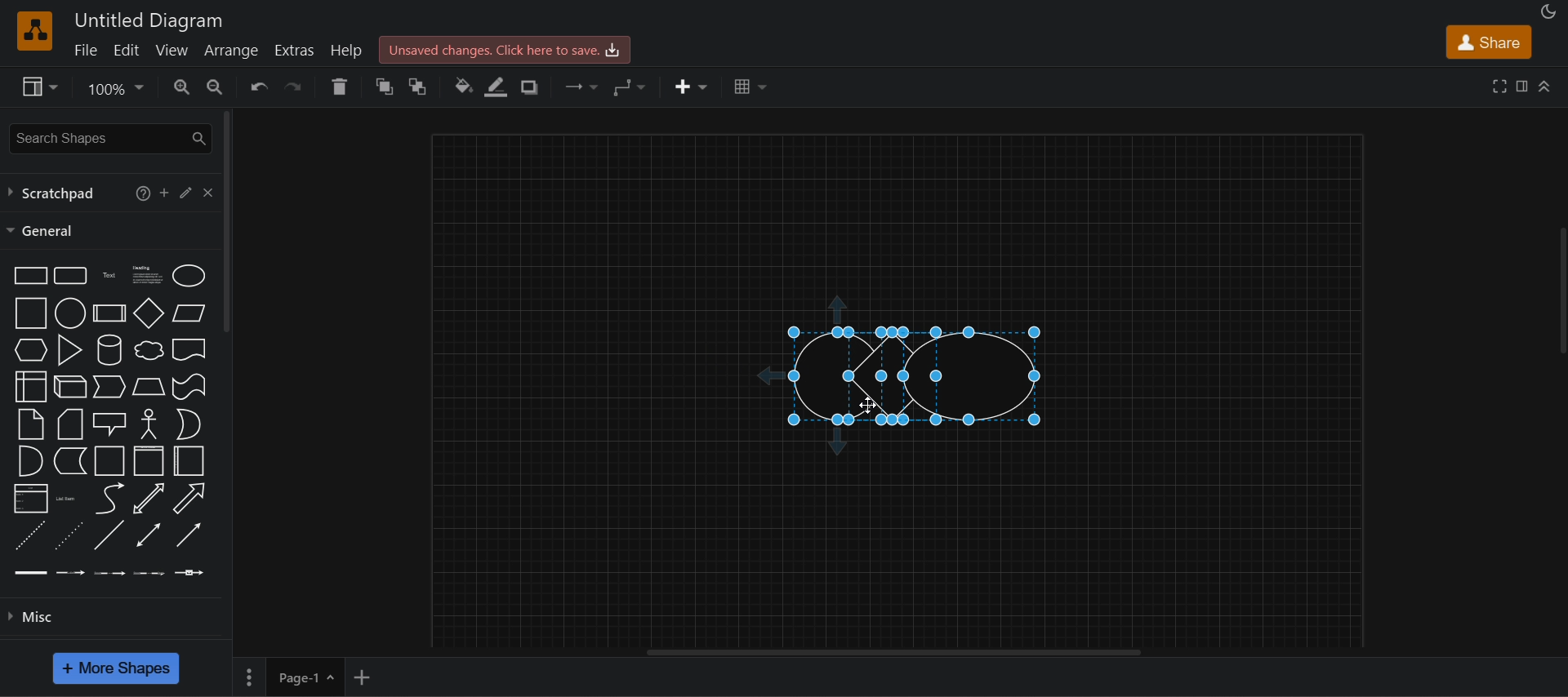  Describe the element at coordinates (385, 87) in the screenshot. I see `to front` at that location.